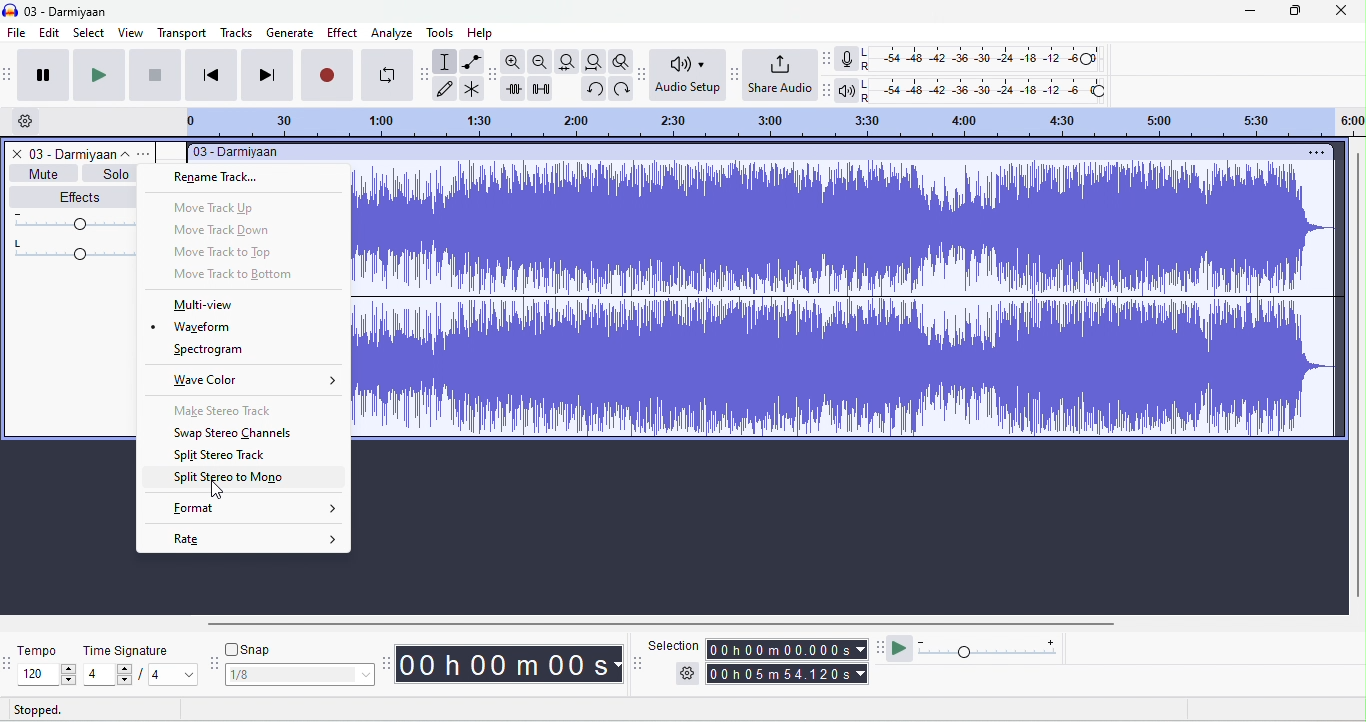 Image resolution: width=1366 pixels, height=722 pixels. What do you see at coordinates (250, 649) in the screenshot?
I see `snap` at bounding box center [250, 649].